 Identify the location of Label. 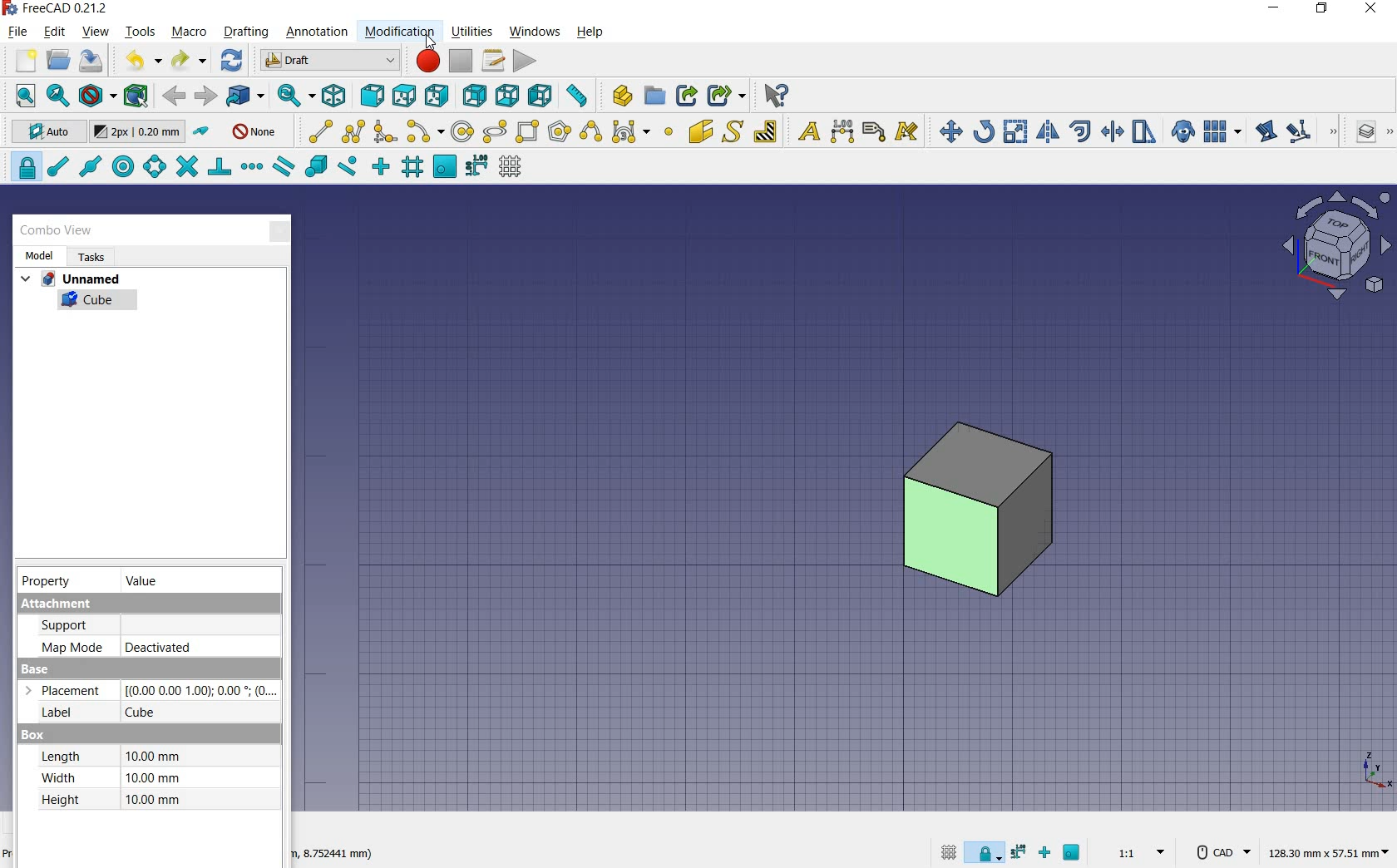
(51, 713).